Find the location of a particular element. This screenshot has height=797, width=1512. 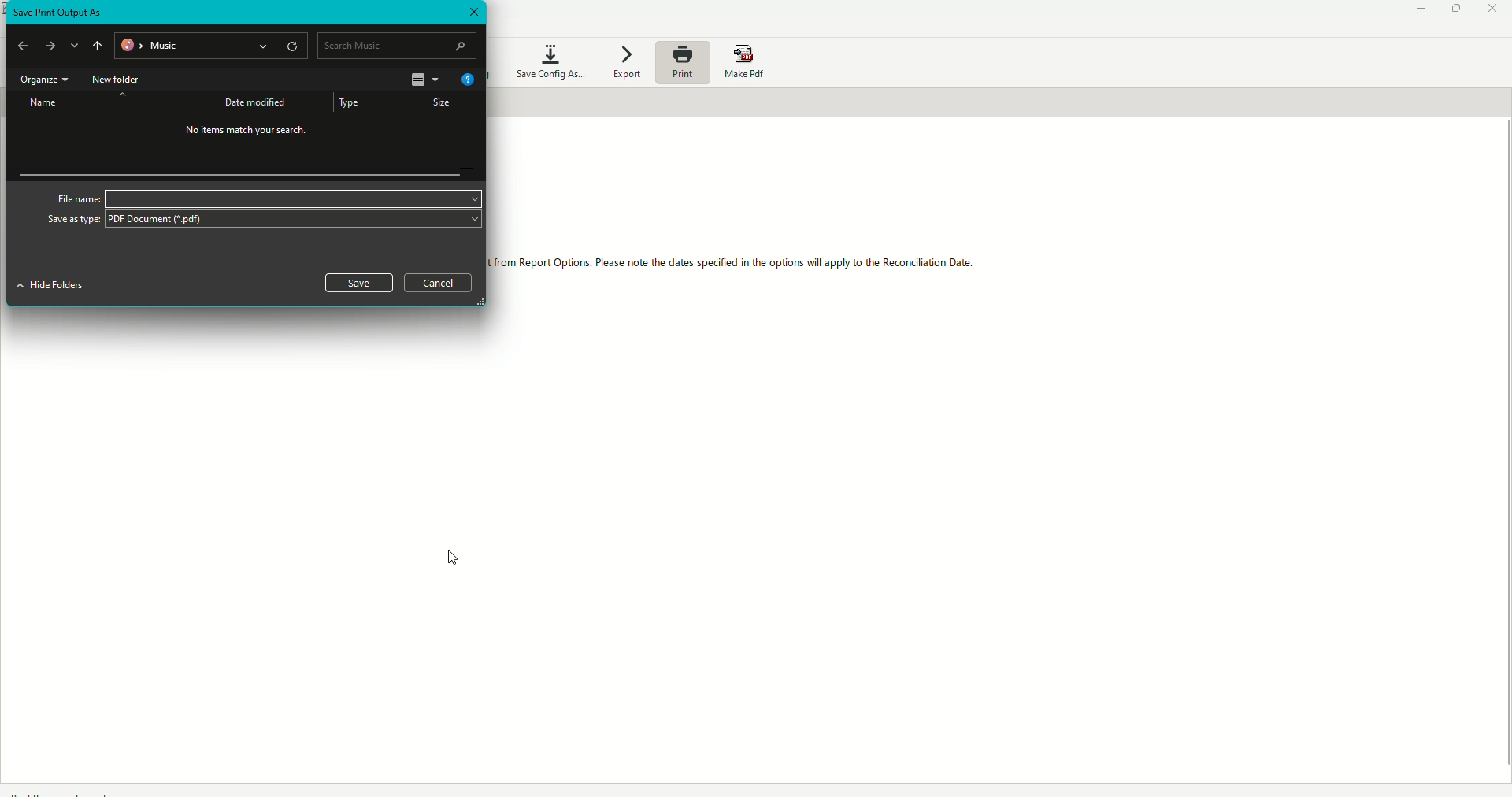

up is located at coordinates (98, 45).